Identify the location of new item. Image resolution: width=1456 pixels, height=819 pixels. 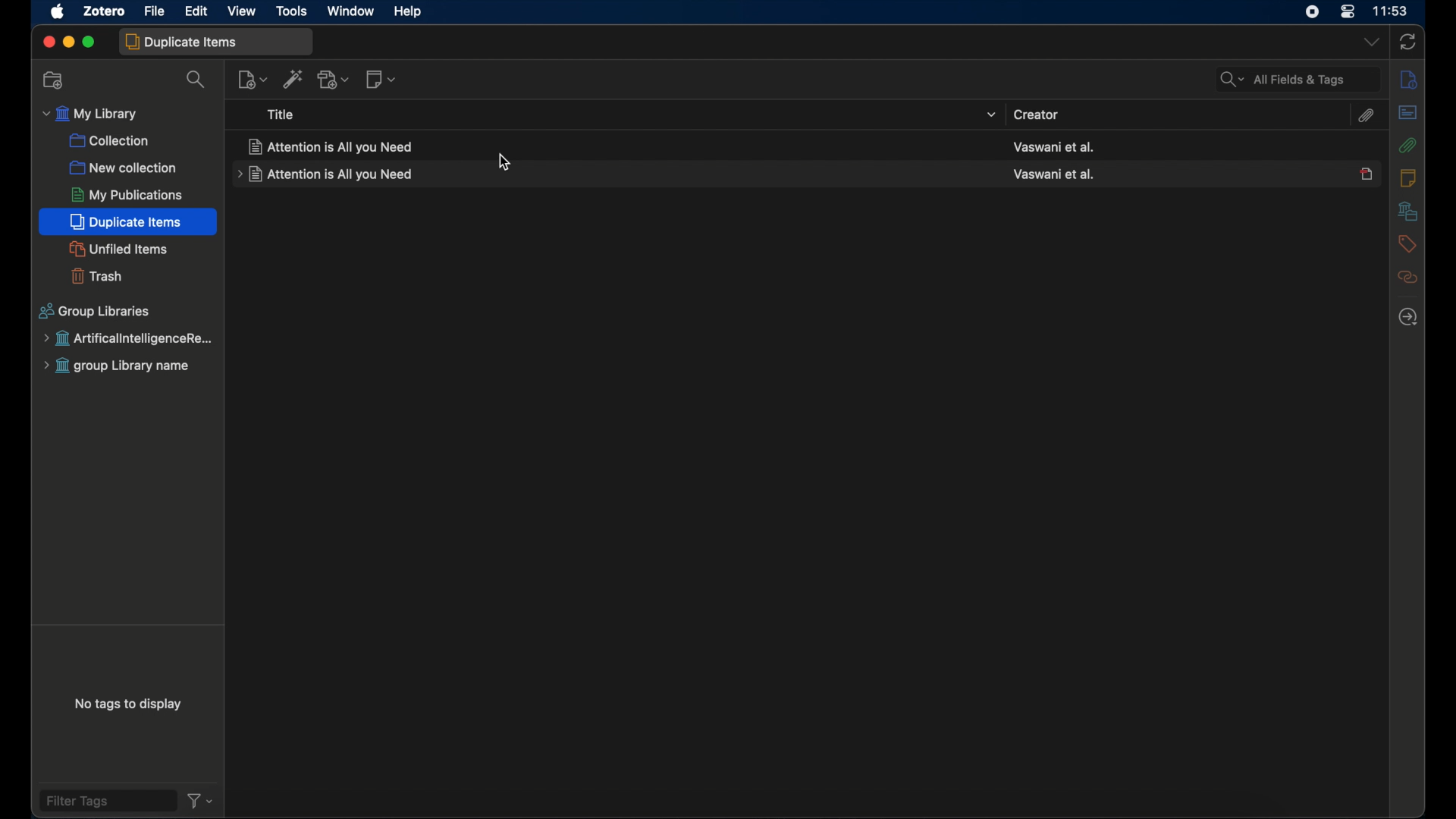
(253, 80).